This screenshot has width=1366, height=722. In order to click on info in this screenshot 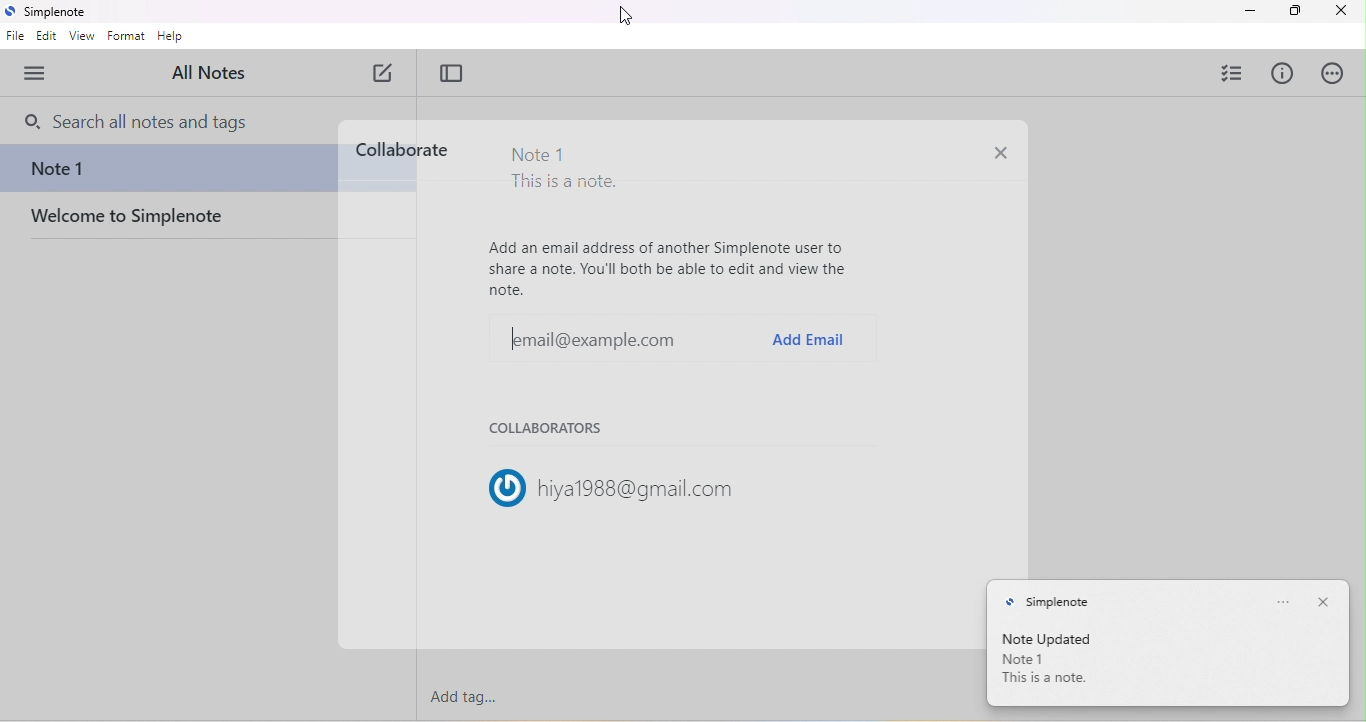, I will do `click(1281, 73)`.